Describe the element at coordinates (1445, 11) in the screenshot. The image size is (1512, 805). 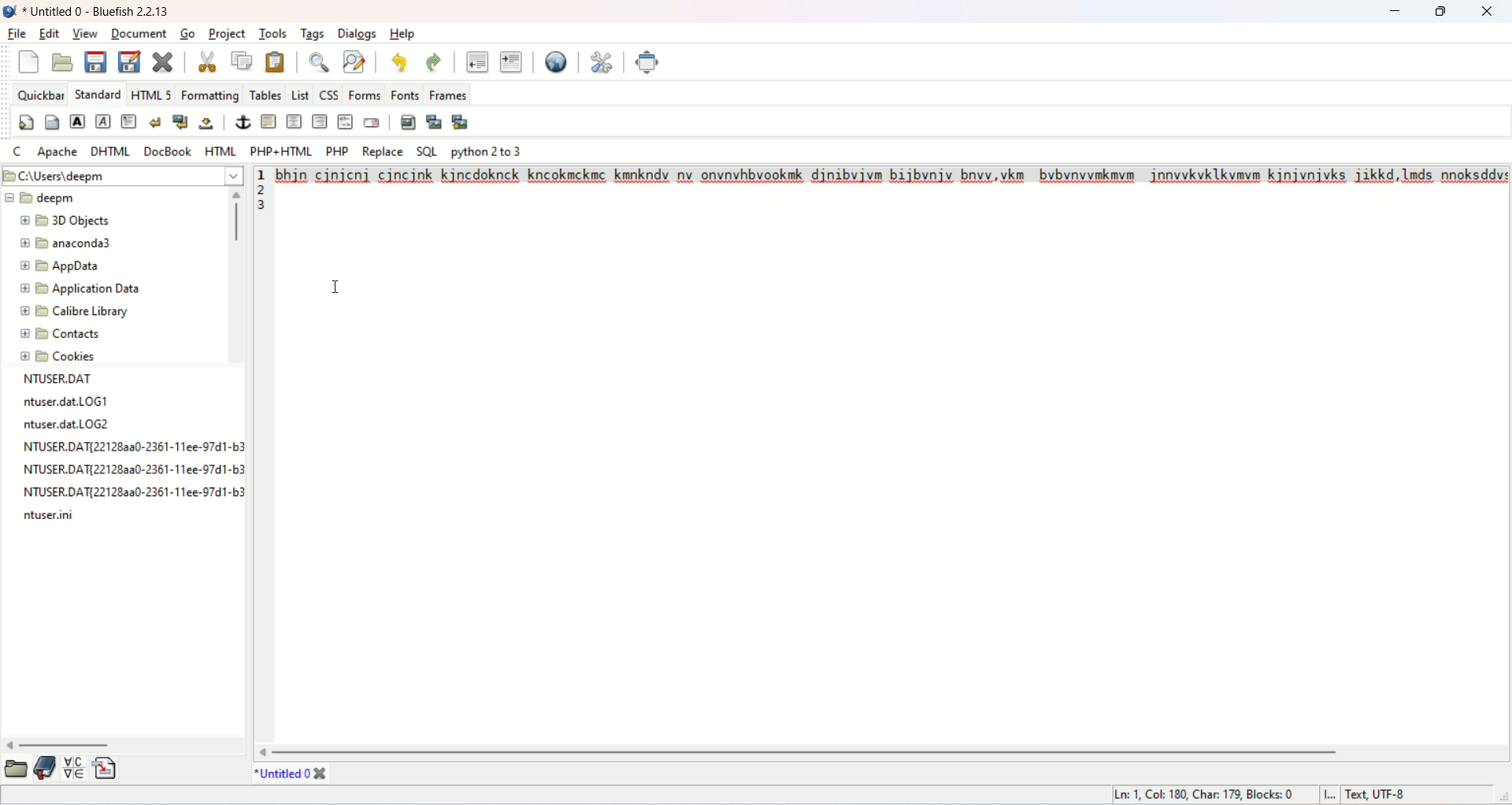
I see `maximize` at that location.